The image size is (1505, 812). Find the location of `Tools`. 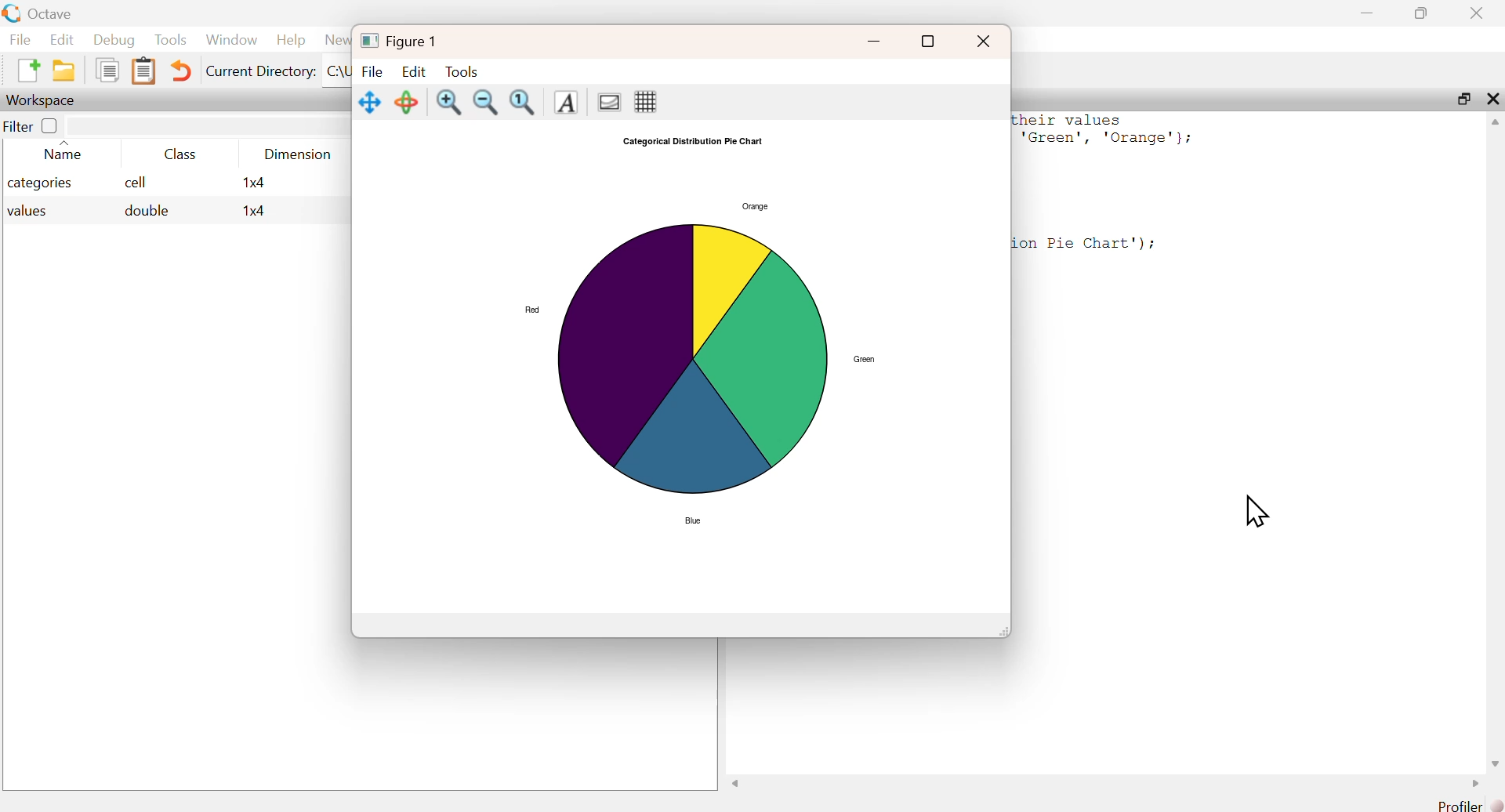

Tools is located at coordinates (172, 39).